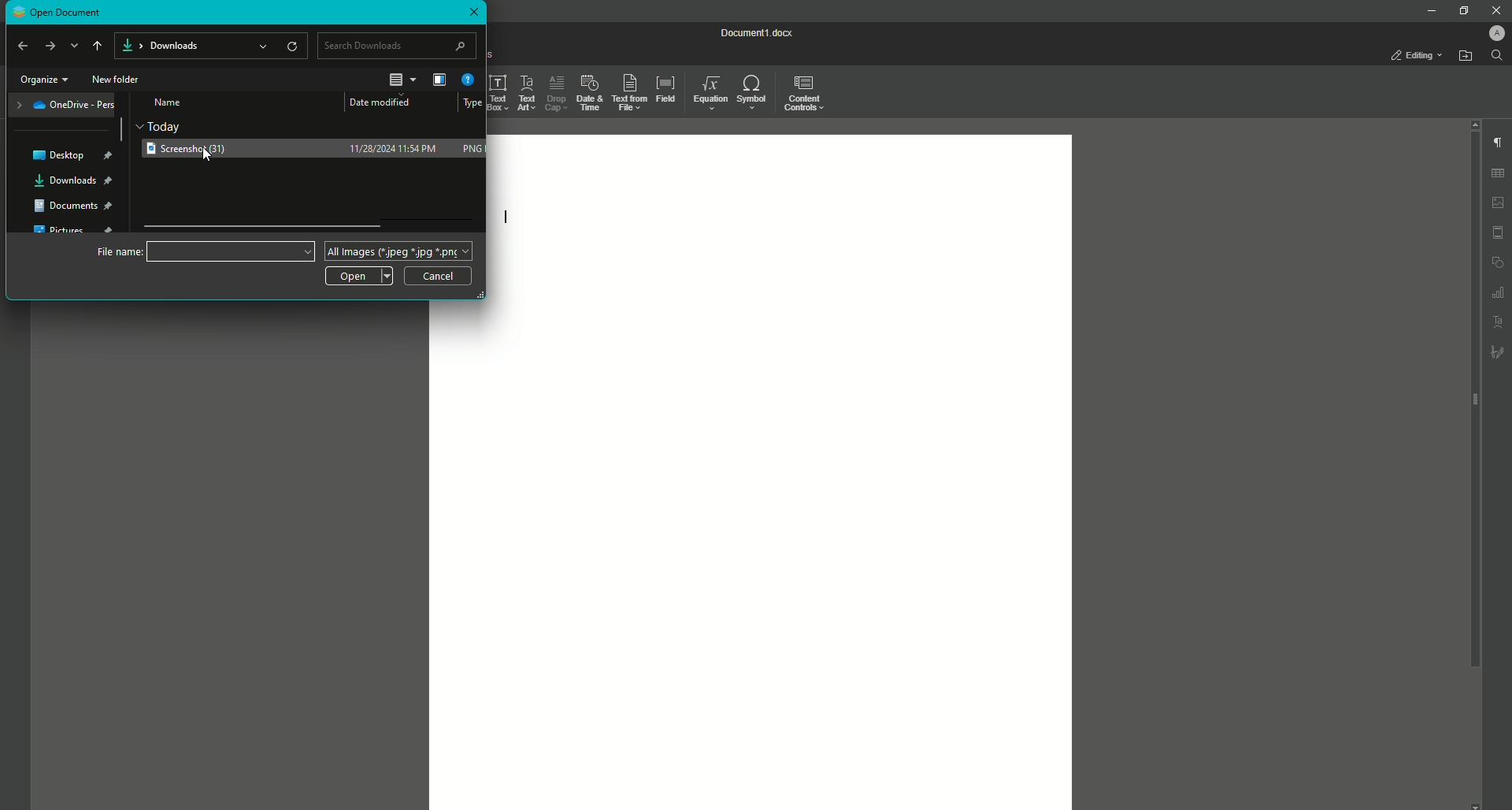 Image resolution: width=1512 pixels, height=810 pixels. What do you see at coordinates (1498, 262) in the screenshot?
I see `Shape Settings` at bounding box center [1498, 262].